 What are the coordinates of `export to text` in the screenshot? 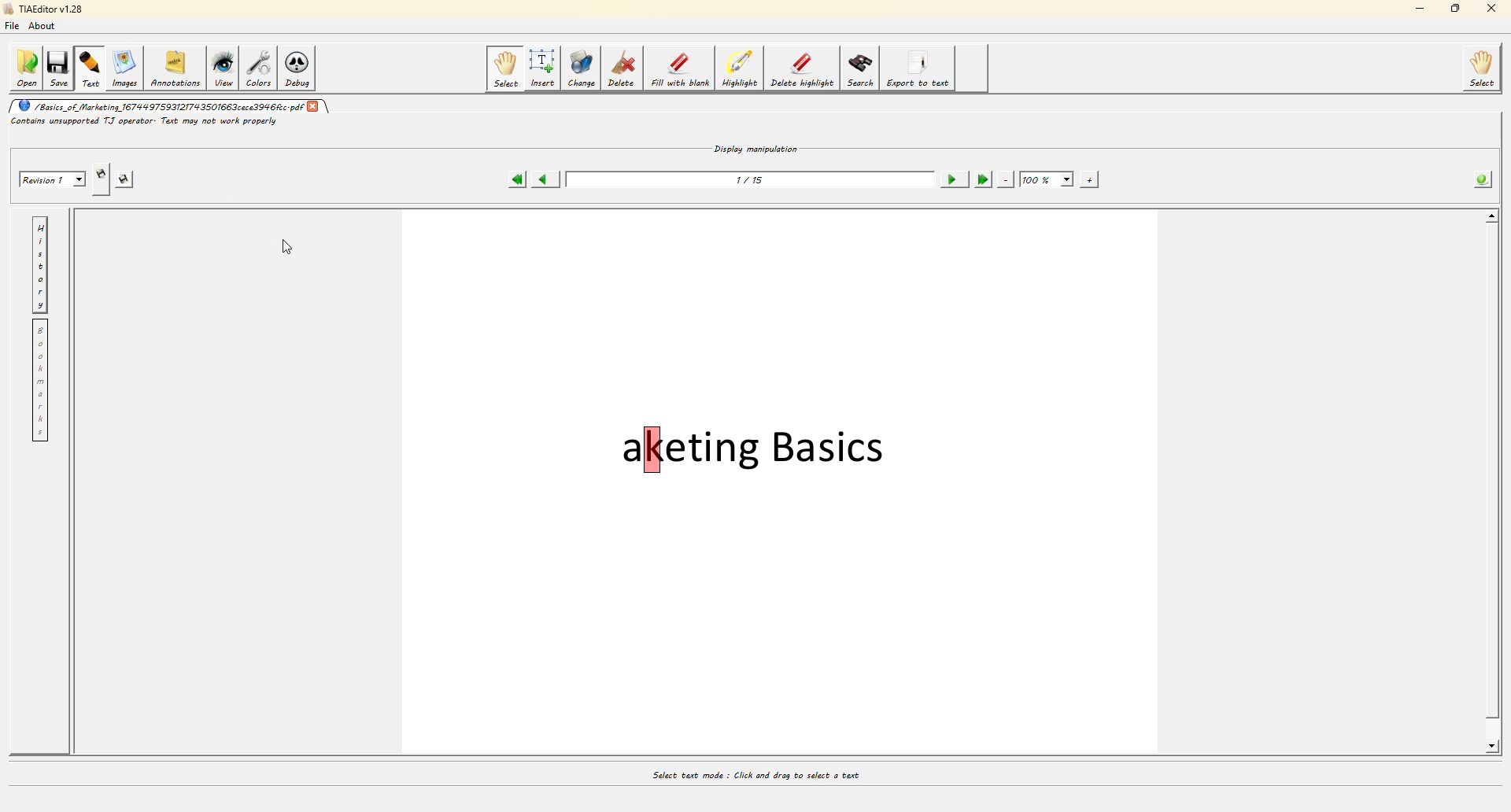 It's located at (918, 69).